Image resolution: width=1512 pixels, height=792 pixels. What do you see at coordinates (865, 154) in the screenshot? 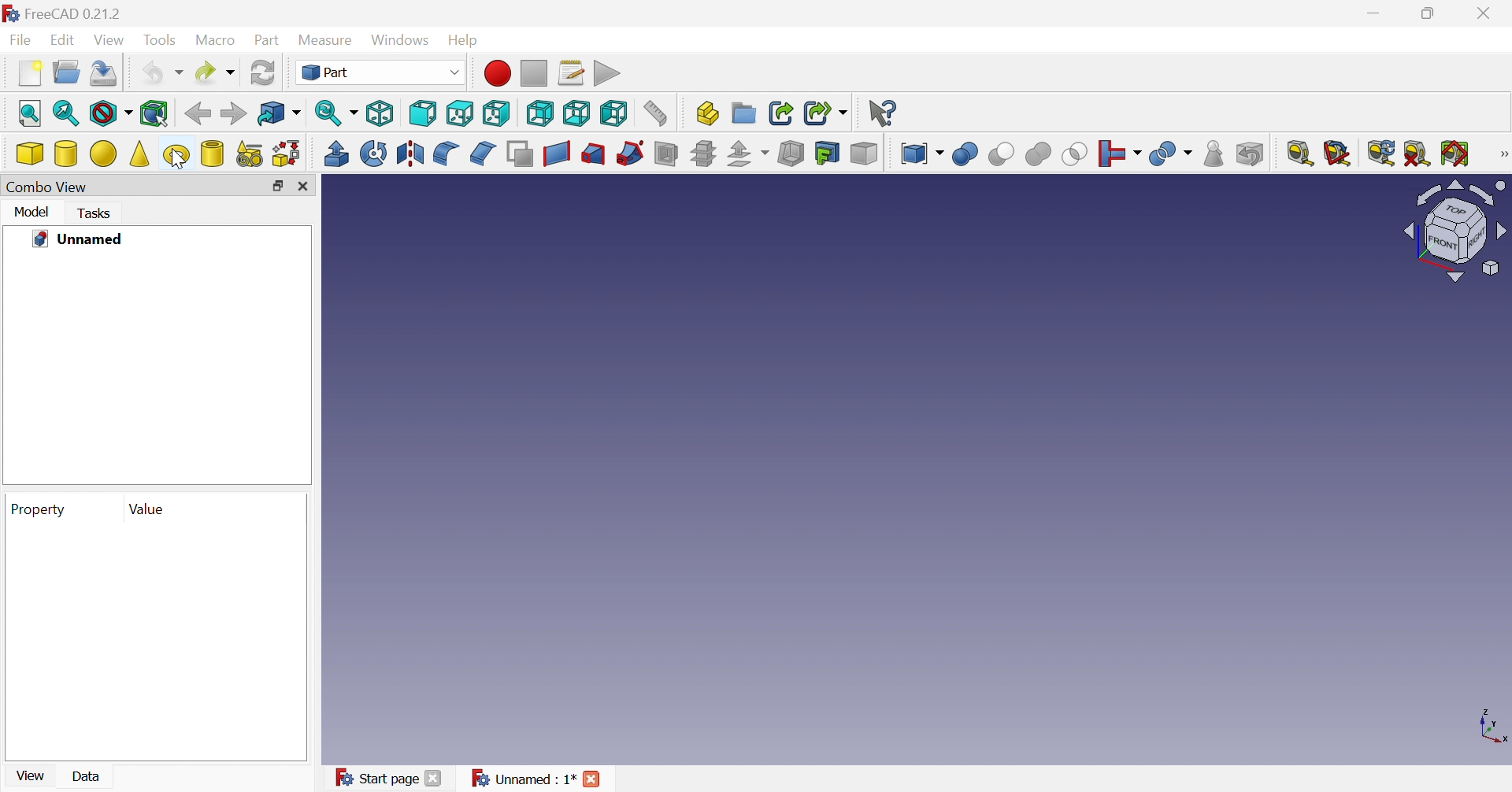
I see `Color per face` at bounding box center [865, 154].